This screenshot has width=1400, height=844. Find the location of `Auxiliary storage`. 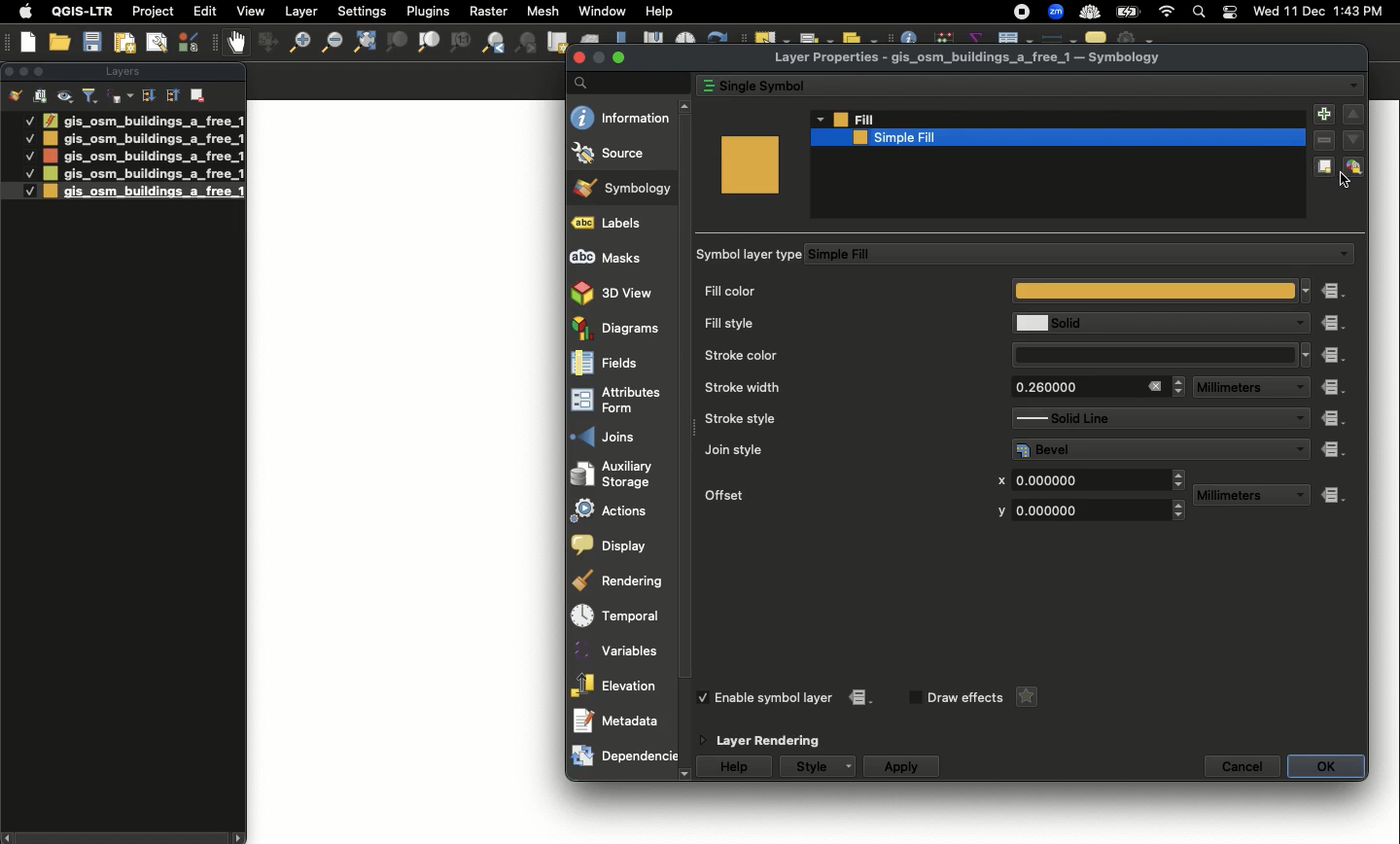

Auxiliary storage is located at coordinates (619, 474).